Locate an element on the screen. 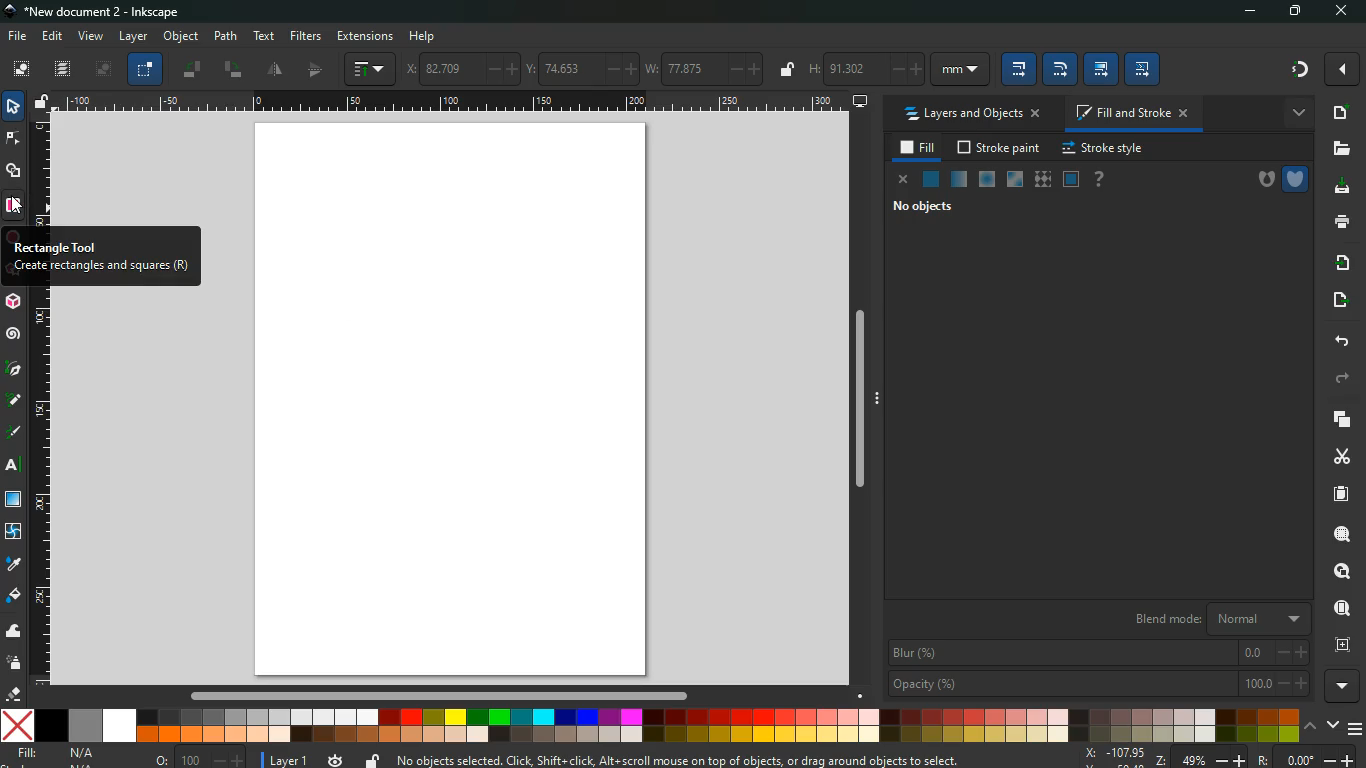  hole is located at coordinates (1258, 180).